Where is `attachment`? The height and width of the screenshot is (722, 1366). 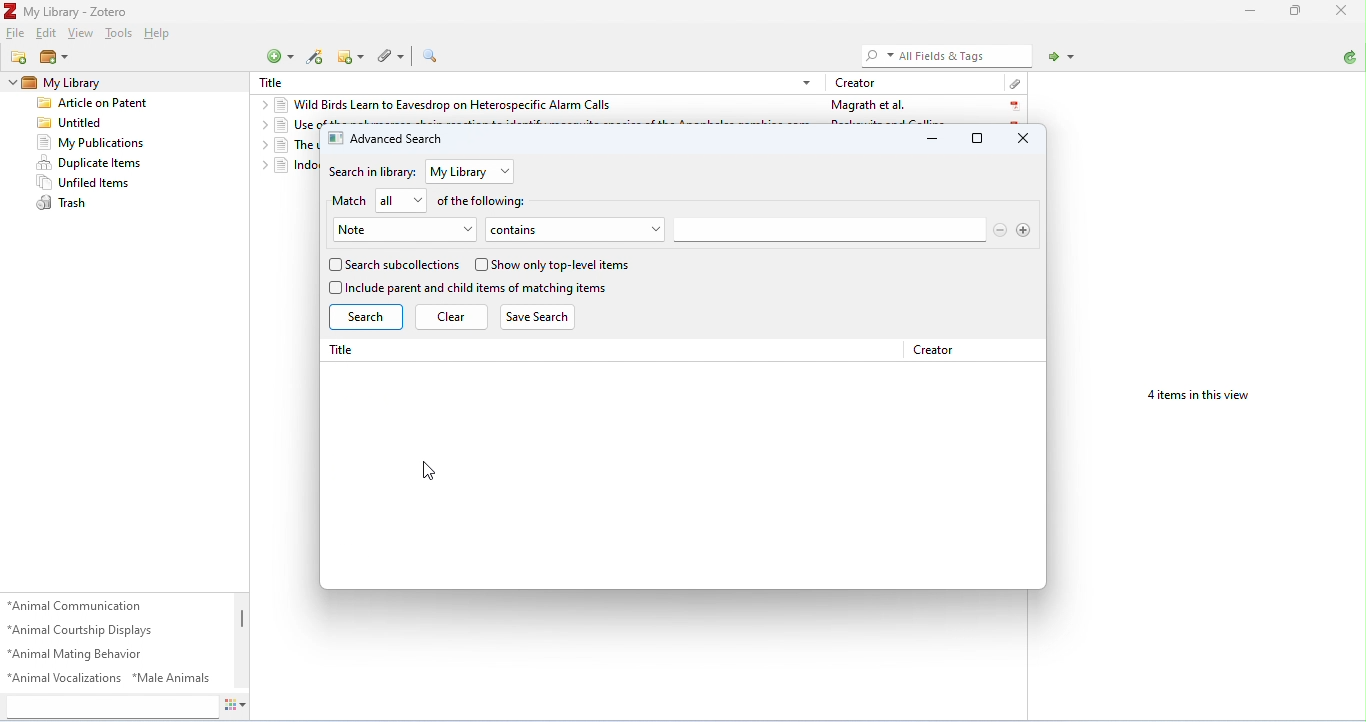
attachment is located at coordinates (1015, 83).